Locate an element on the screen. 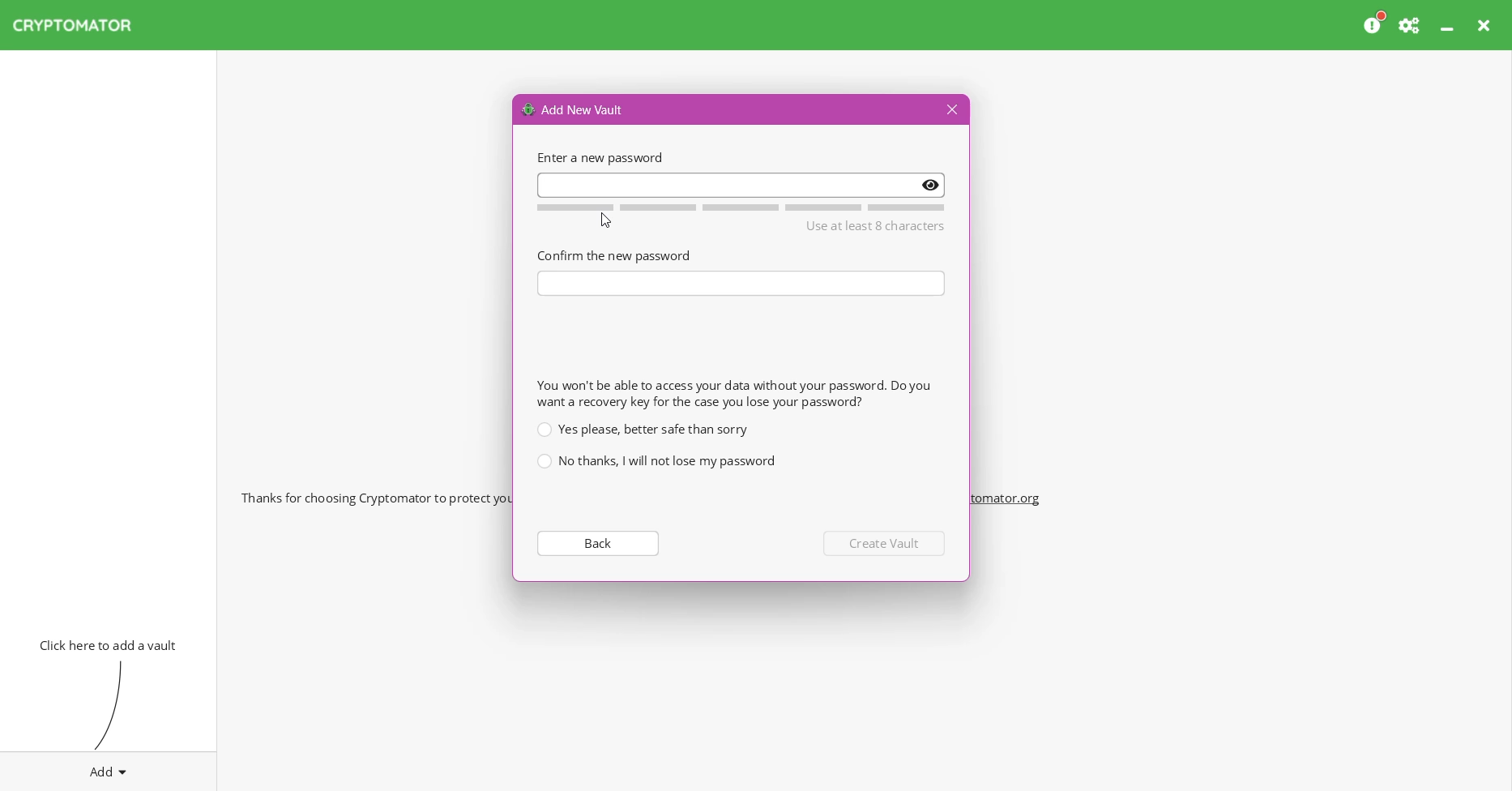 The width and height of the screenshot is (1512, 791). (un)check please, I will not lose my password is located at coordinates (656, 461).